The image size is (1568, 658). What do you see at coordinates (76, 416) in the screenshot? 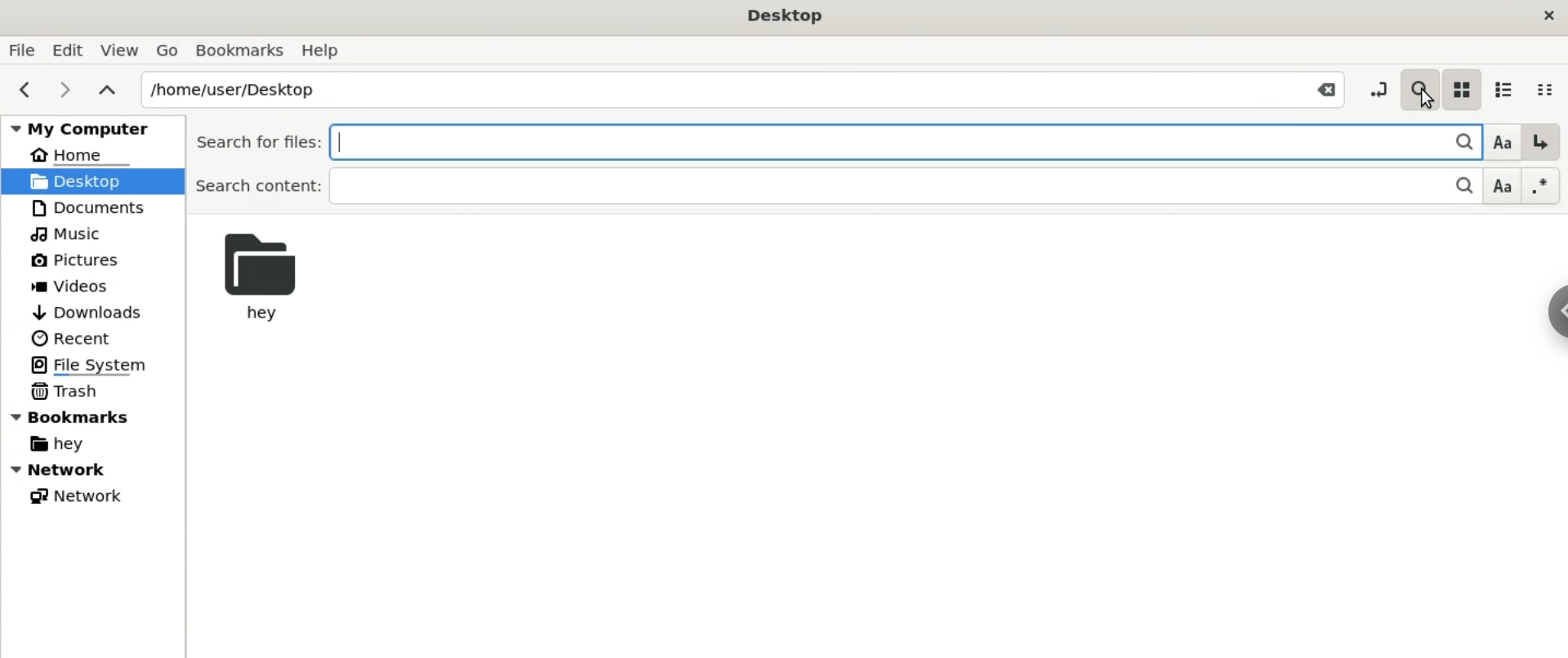
I see `Bookmarks` at bounding box center [76, 416].